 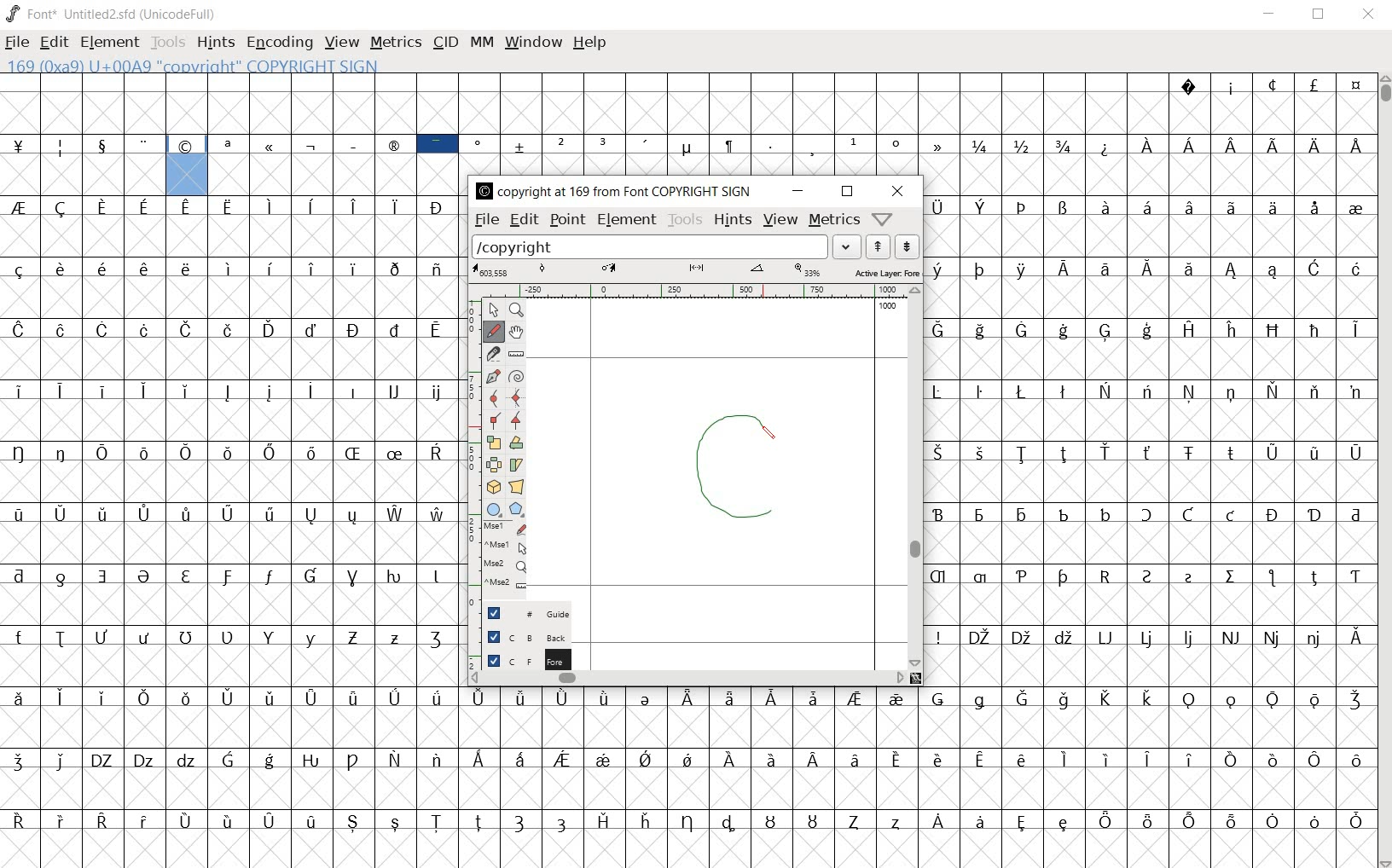 I want to click on Guide, so click(x=521, y=613).